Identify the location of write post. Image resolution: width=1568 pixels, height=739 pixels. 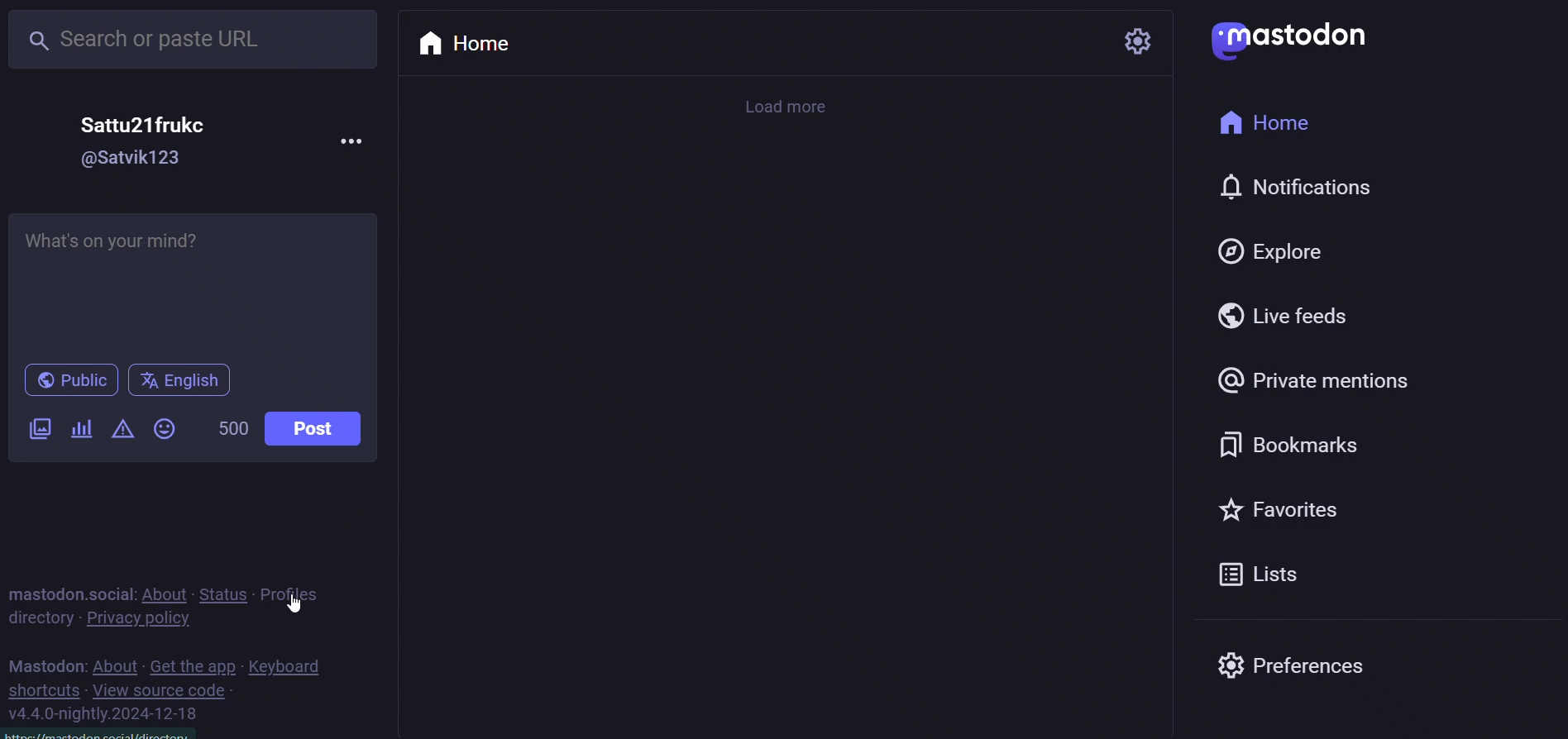
(187, 282).